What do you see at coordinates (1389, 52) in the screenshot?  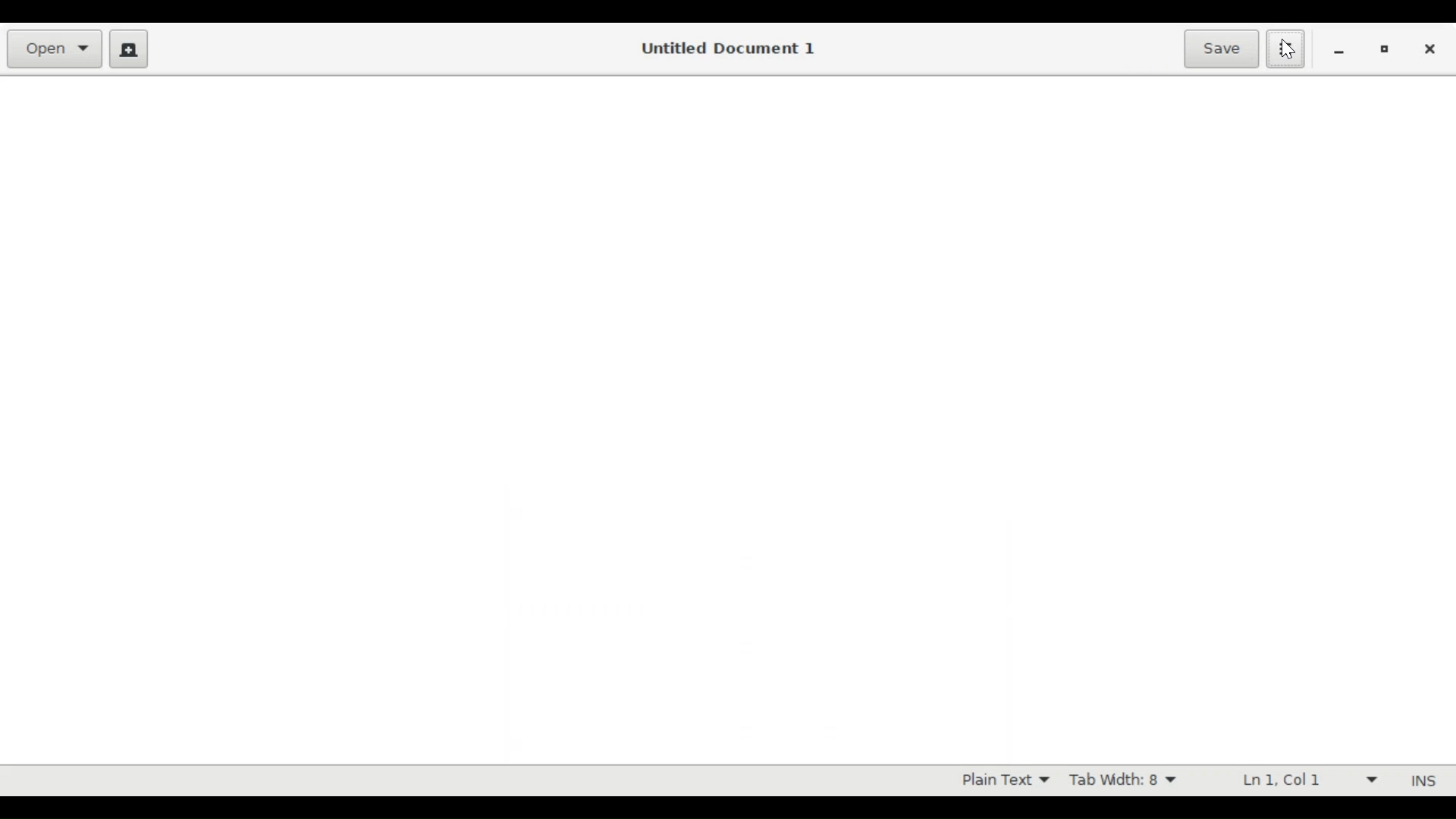 I see `Restore` at bounding box center [1389, 52].